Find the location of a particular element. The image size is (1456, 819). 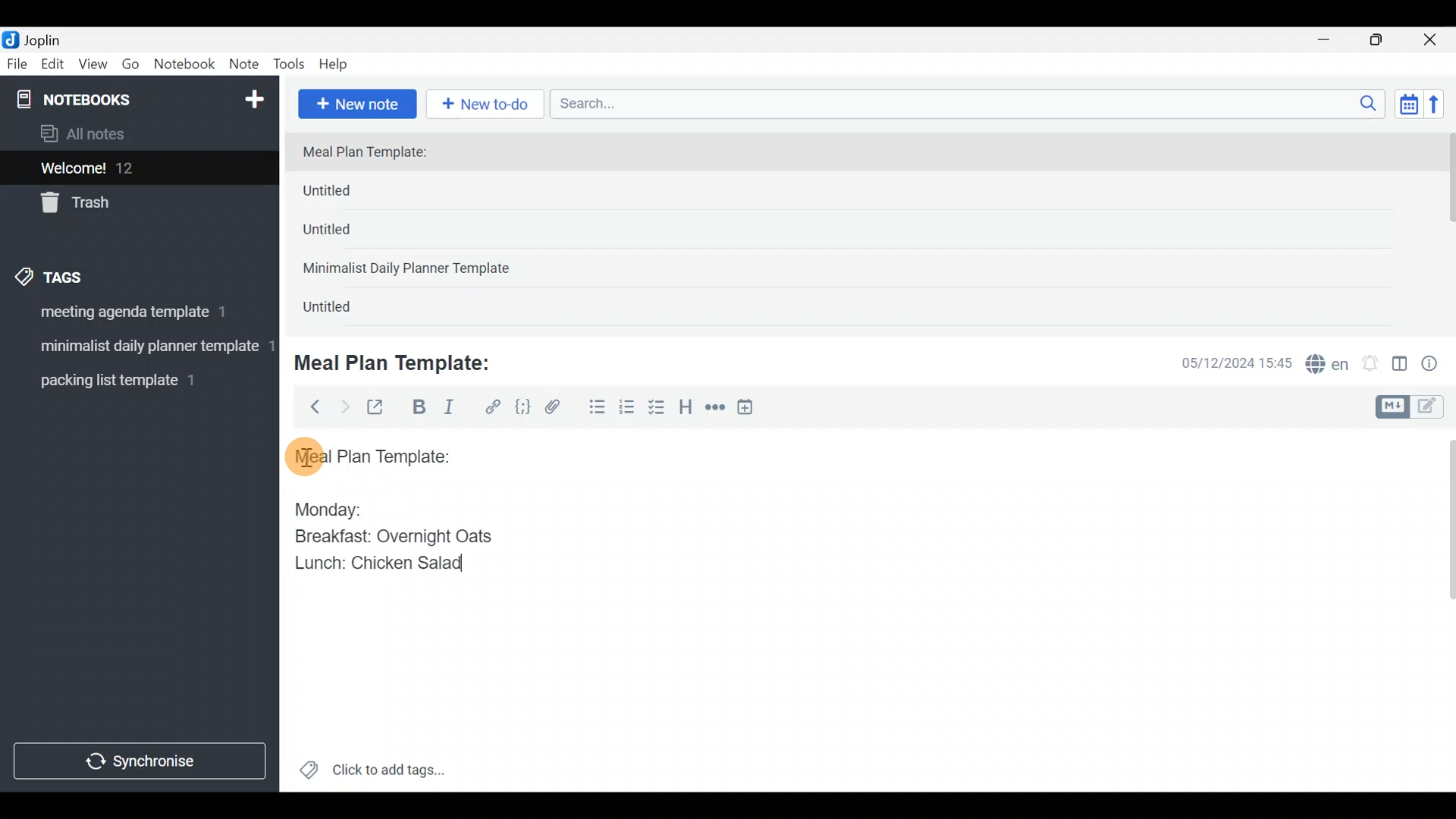

Click to add tags is located at coordinates (372, 775).